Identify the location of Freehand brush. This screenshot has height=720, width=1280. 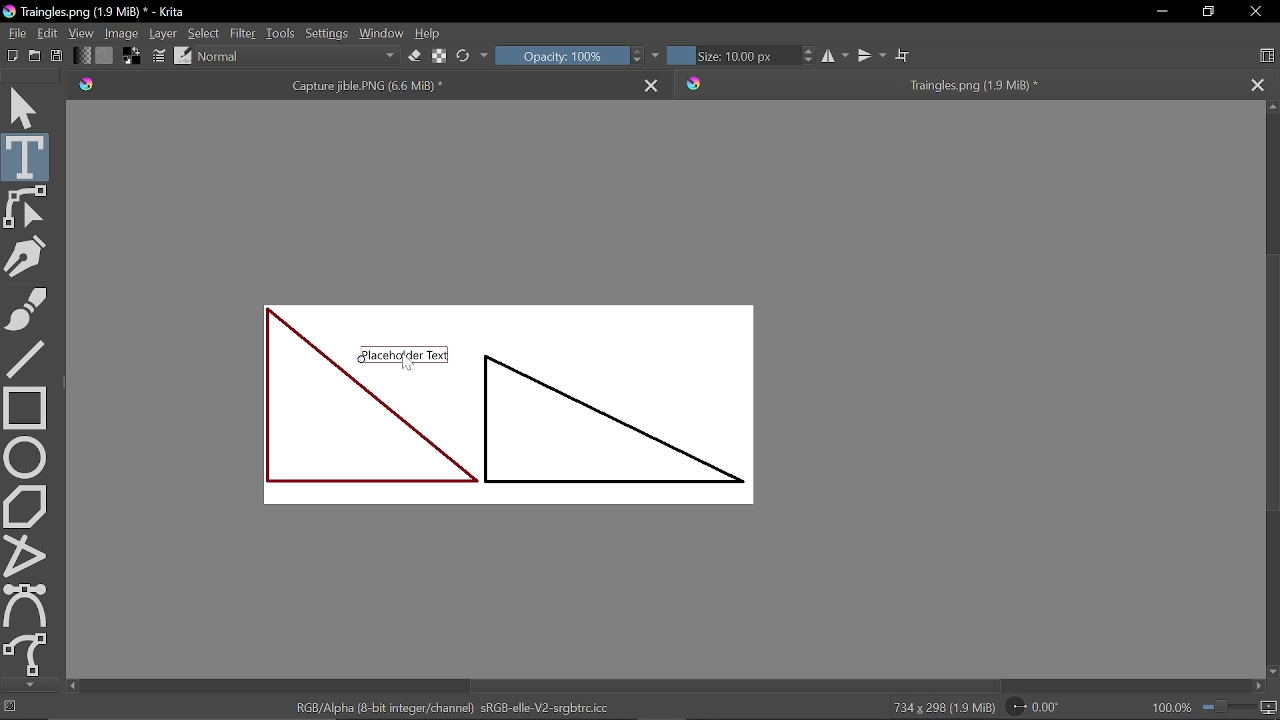
(26, 309).